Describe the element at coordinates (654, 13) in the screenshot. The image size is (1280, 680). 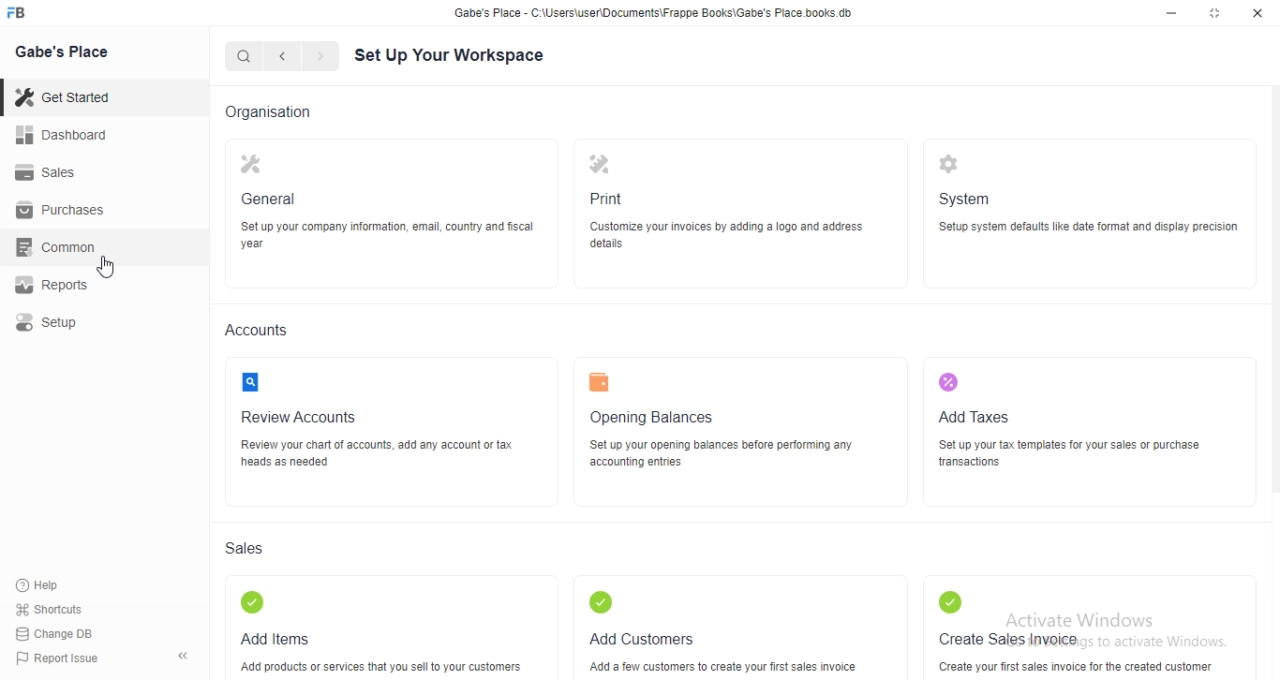
I see `Gabe's Place - C\Users\userDocuments Frappe Books\Gabe's Place books db.` at that location.